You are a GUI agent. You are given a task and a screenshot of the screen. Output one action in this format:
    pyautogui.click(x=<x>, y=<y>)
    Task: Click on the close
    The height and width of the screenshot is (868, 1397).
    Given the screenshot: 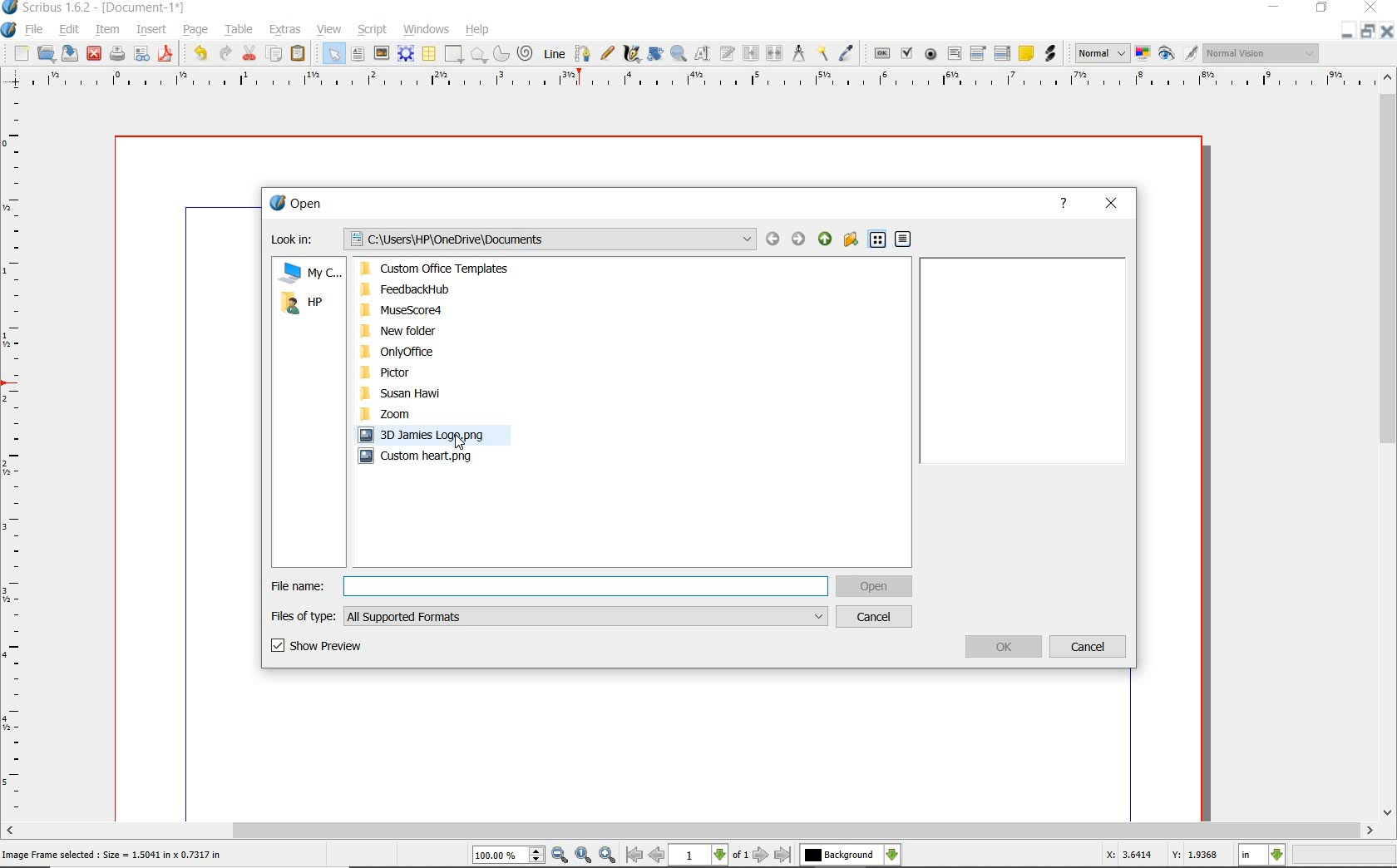 What is the action you would take?
    pyautogui.click(x=1386, y=32)
    